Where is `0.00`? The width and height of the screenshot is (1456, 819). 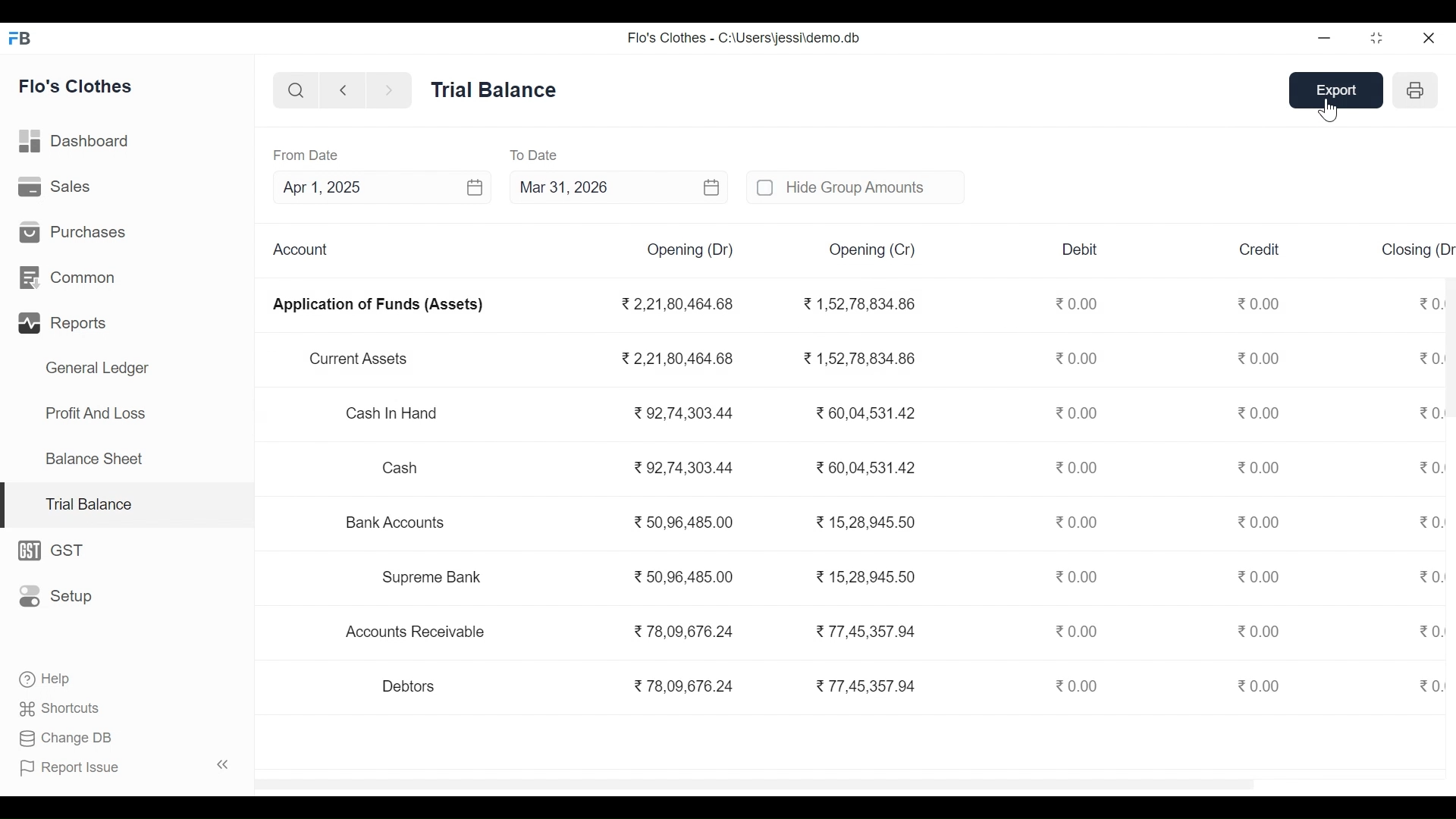
0.00 is located at coordinates (1262, 685).